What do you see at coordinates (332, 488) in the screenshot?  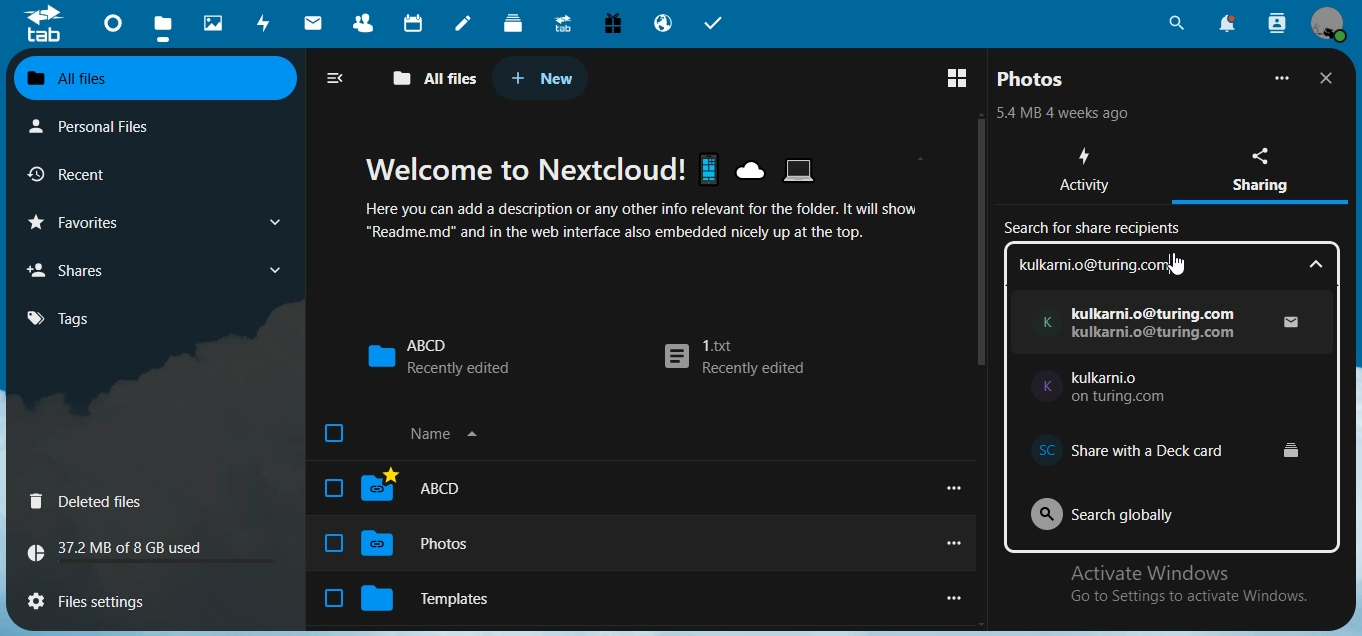 I see `check box` at bounding box center [332, 488].